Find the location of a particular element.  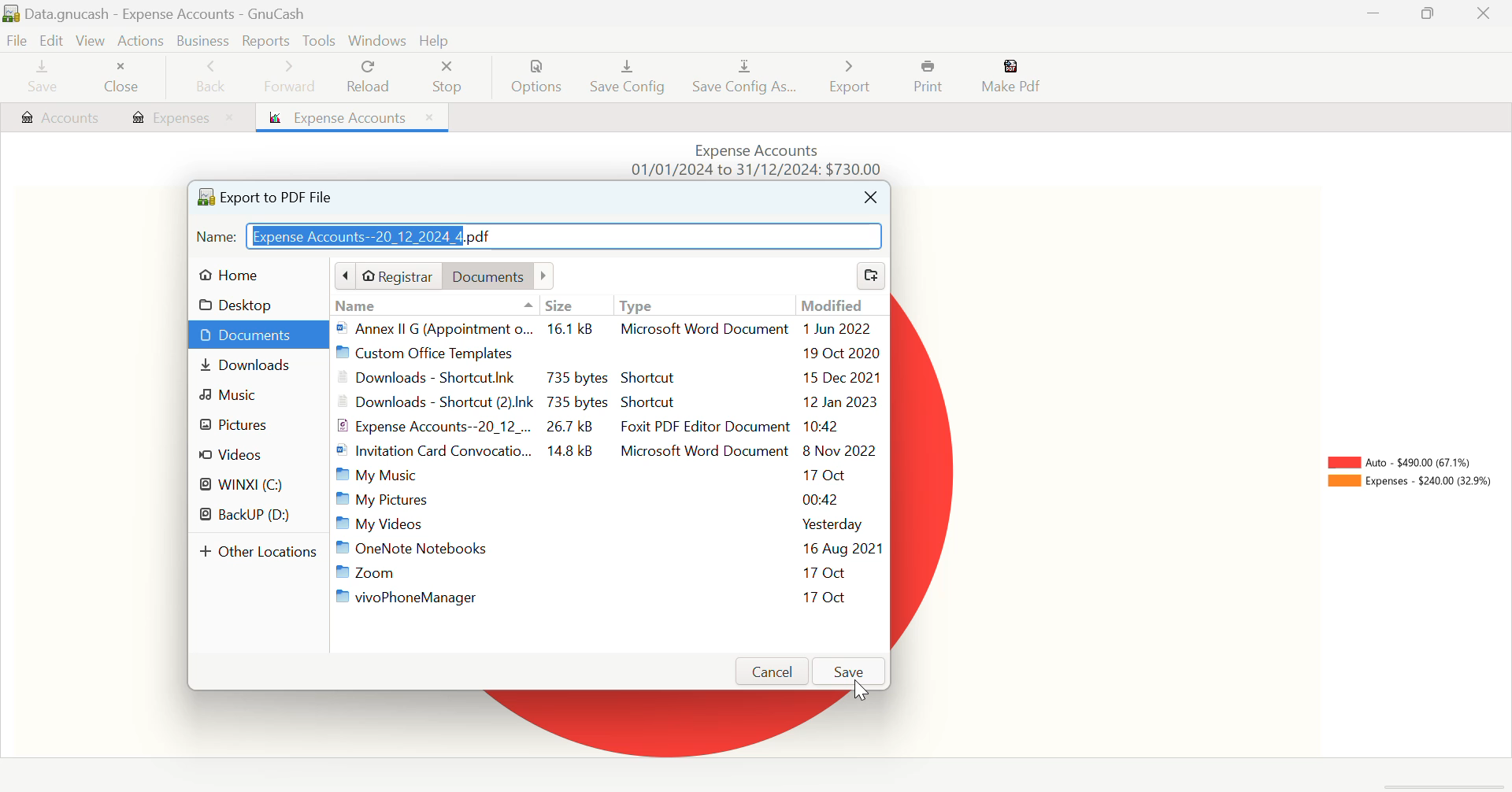

My Music is located at coordinates (603, 476).